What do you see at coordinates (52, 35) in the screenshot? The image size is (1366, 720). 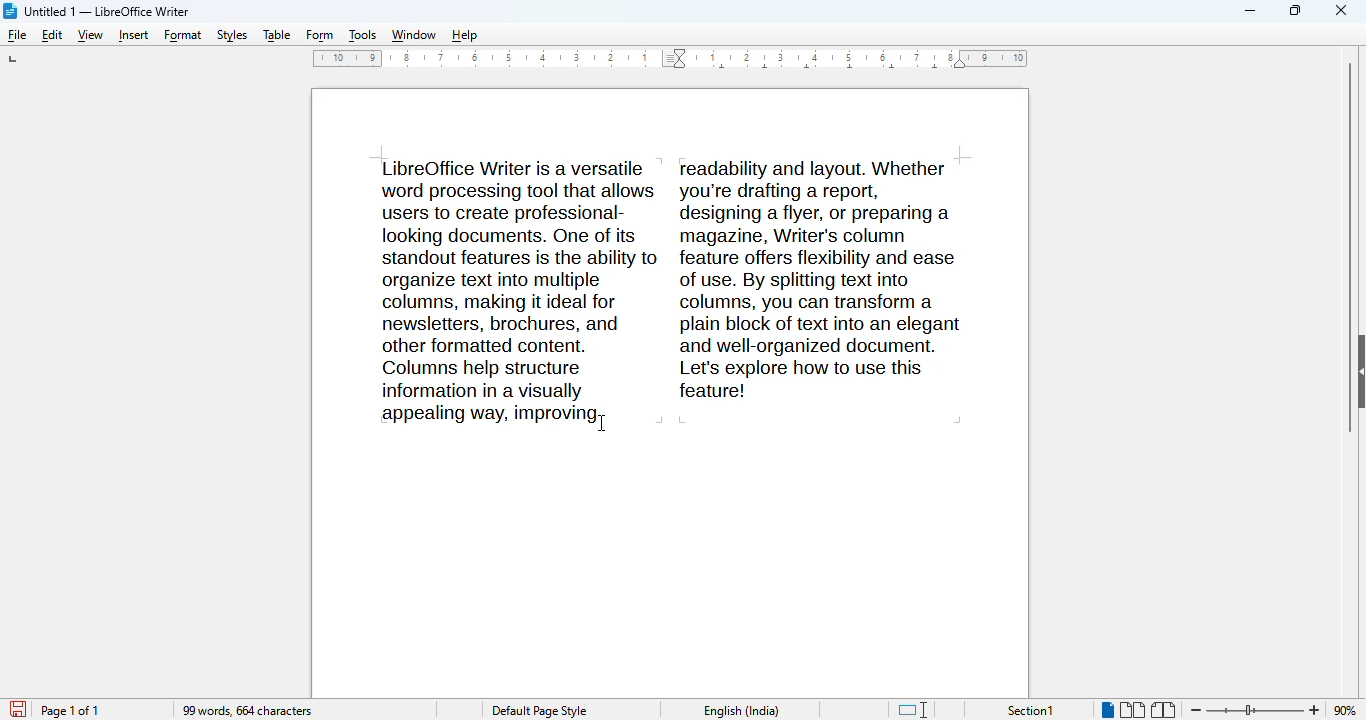 I see `edit` at bounding box center [52, 35].